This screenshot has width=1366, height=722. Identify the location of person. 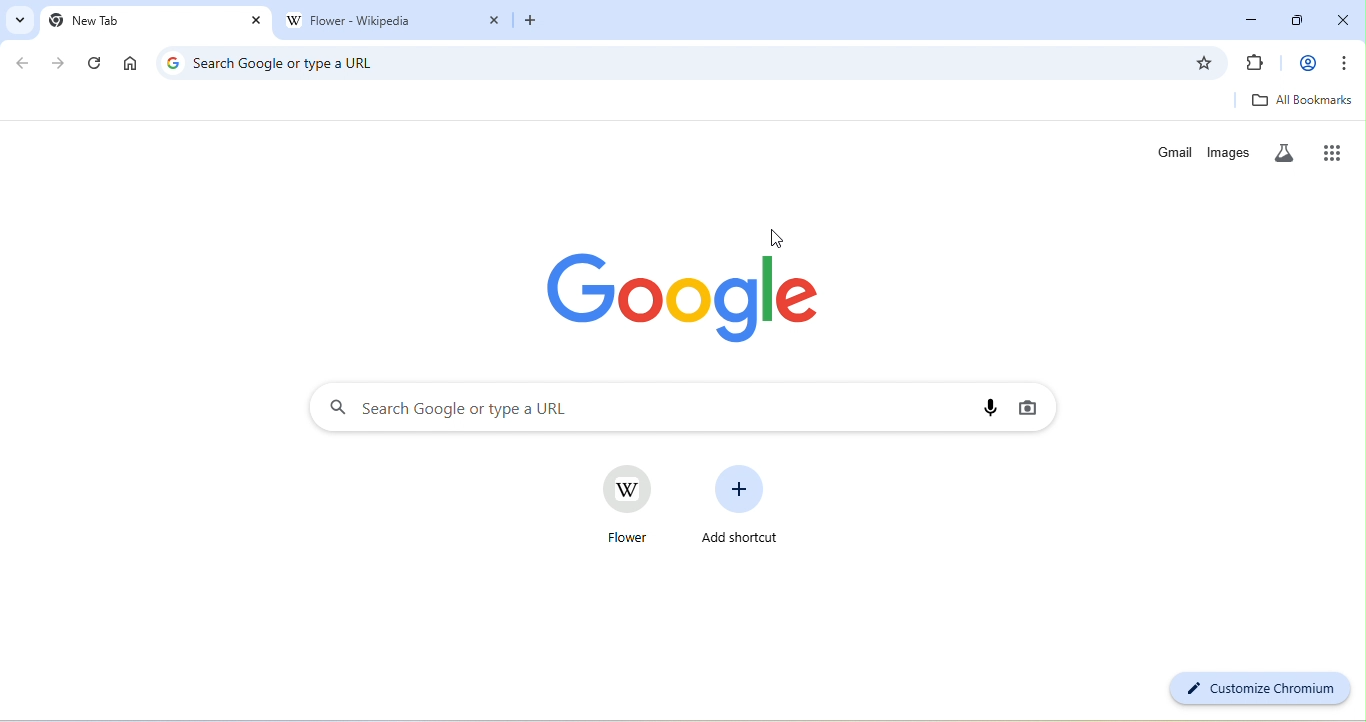
(1307, 64).